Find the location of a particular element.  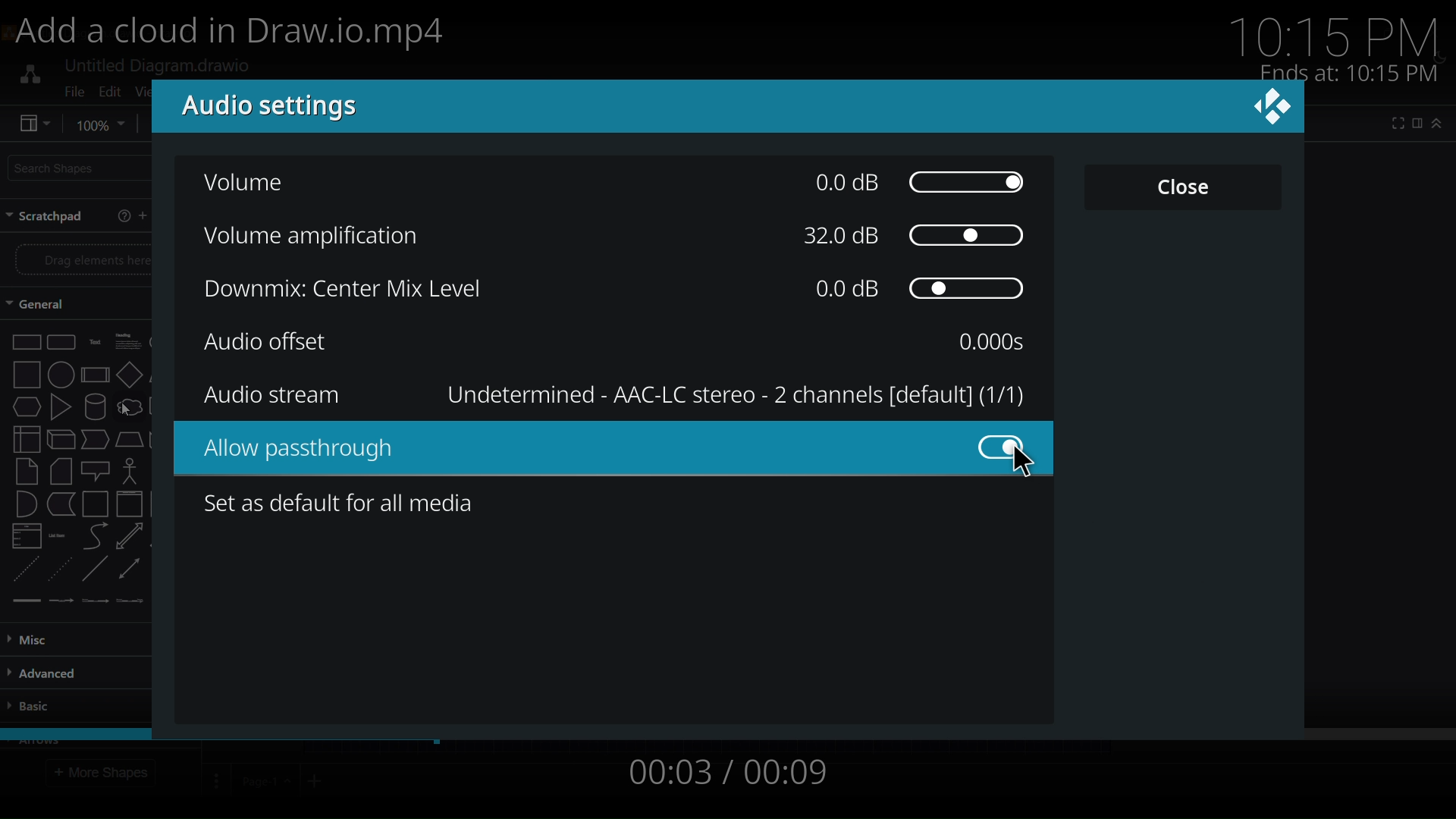

32.0dB is located at coordinates (914, 237).